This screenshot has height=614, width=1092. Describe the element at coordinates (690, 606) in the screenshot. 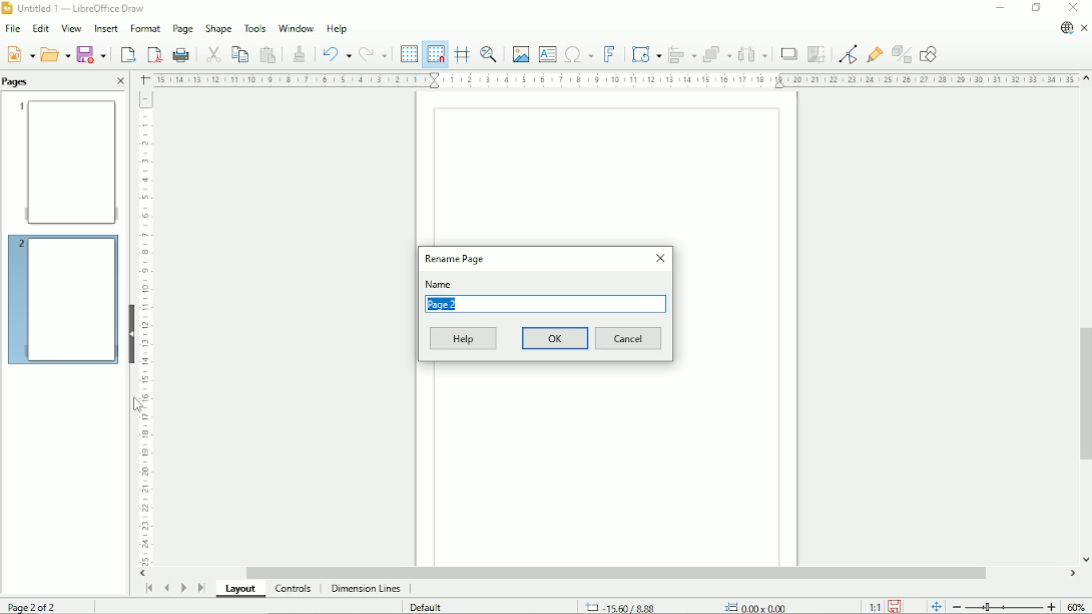

I see `Cursor position` at that location.